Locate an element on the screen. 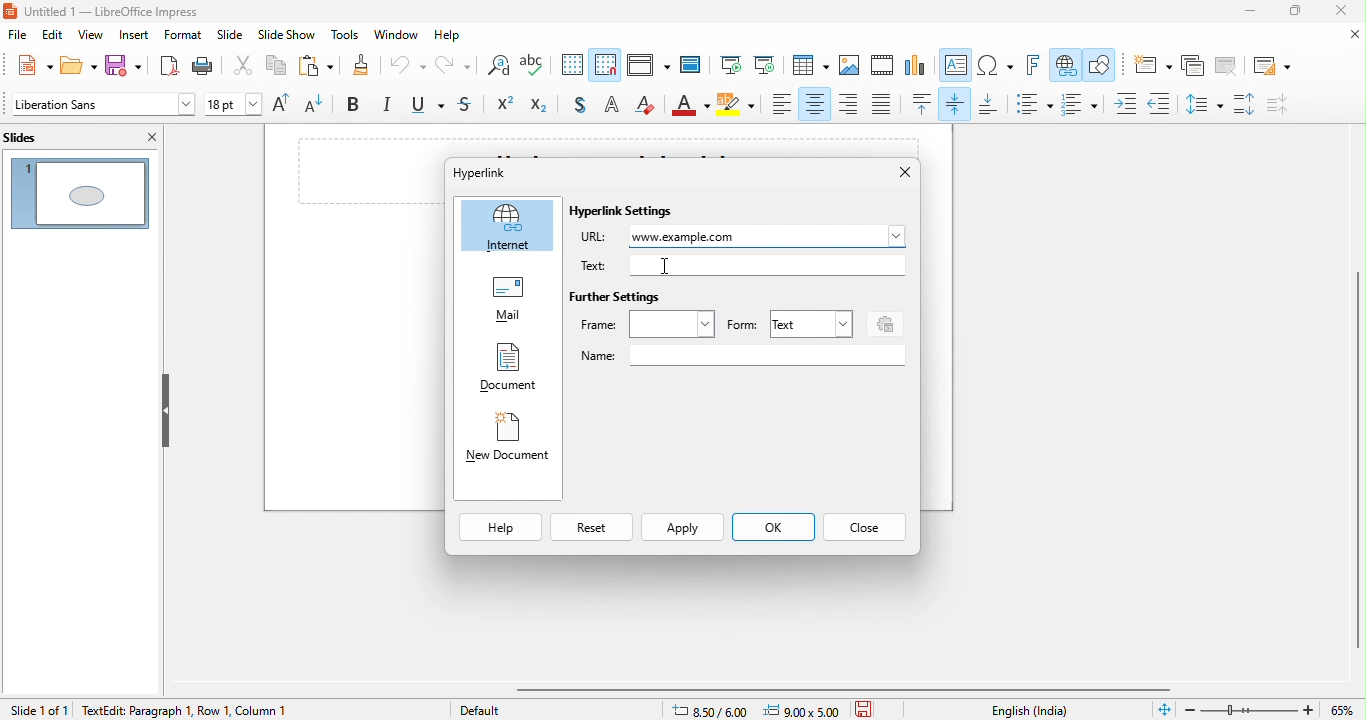  decrease indent is located at coordinates (1159, 101).